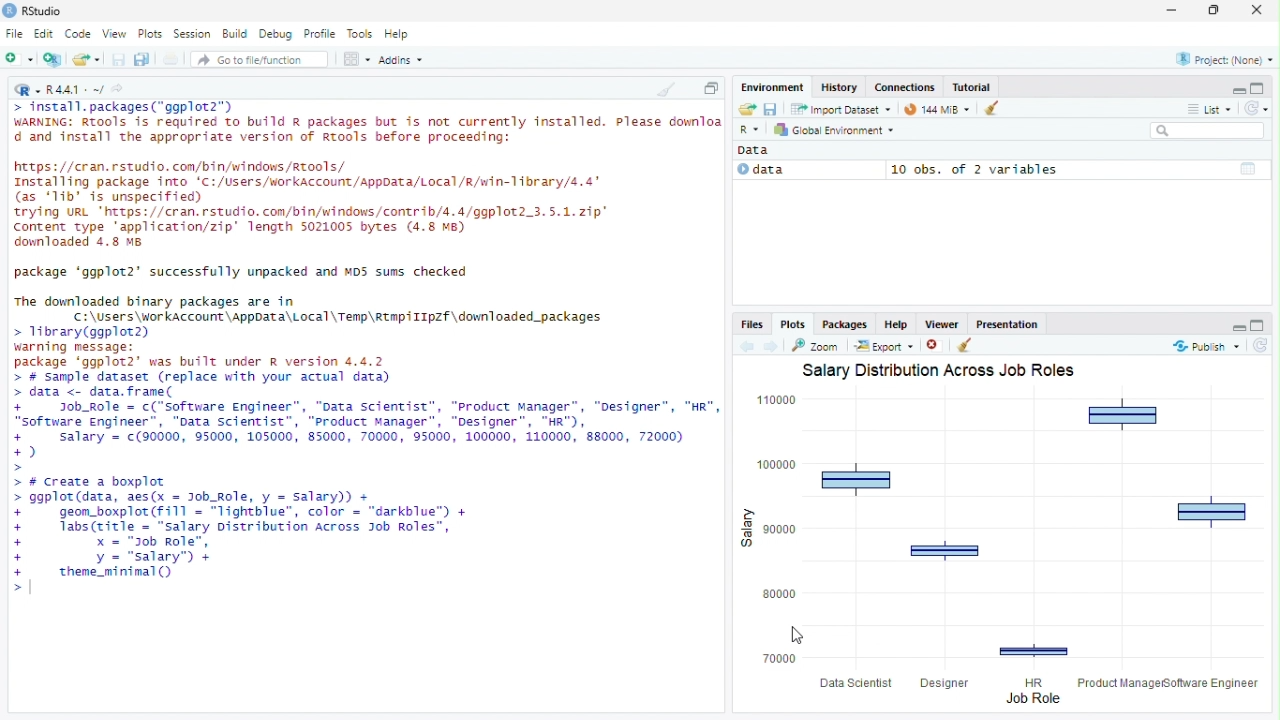 This screenshot has width=1280, height=720. What do you see at coordinates (937, 109) in the screenshot?
I see `current memory usage - 129MiB` at bounding box center [937, 109].